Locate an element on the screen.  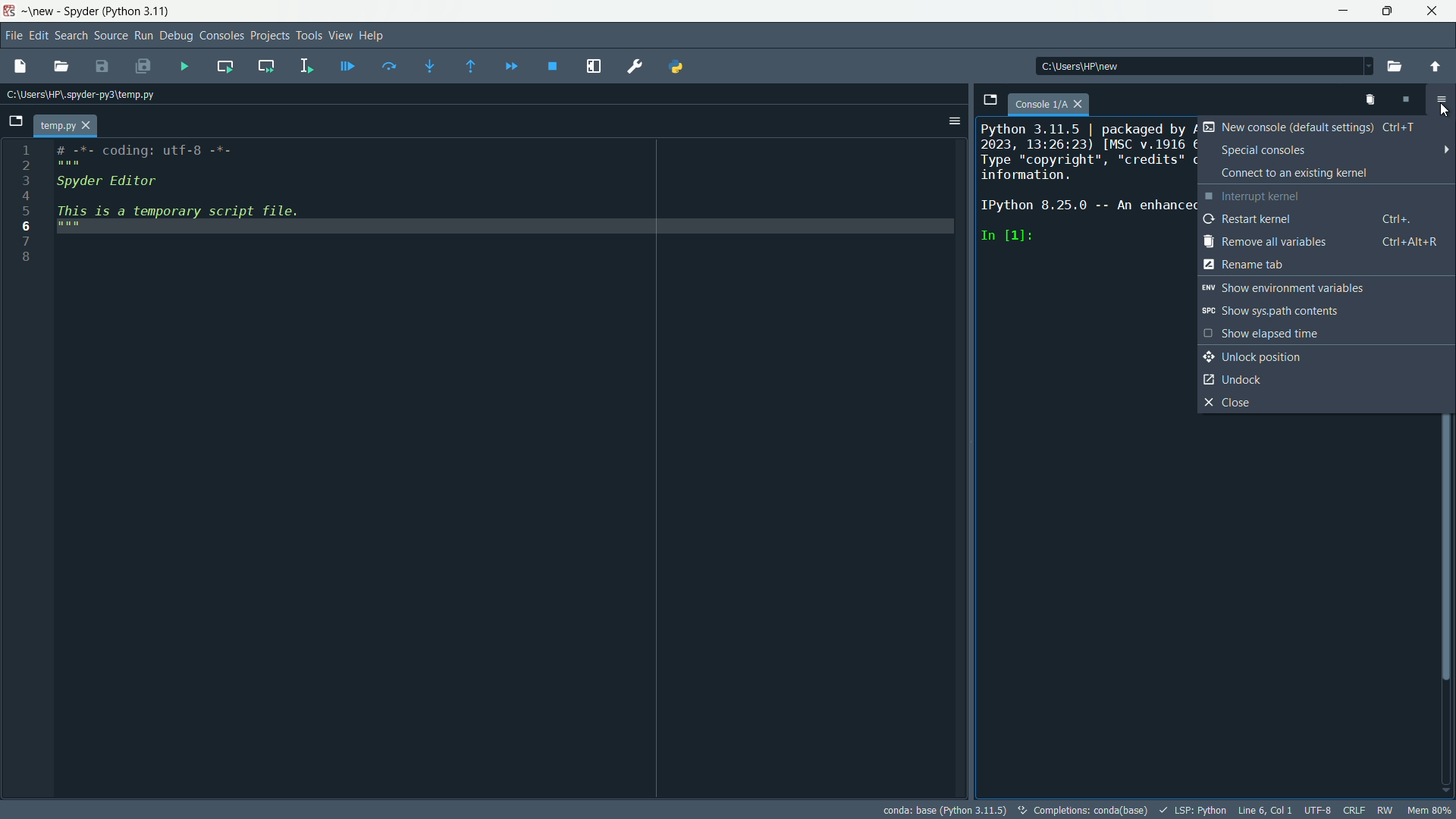
Remove all variables Ctrl +Alt+ r is located at coordinates (1323, 242).